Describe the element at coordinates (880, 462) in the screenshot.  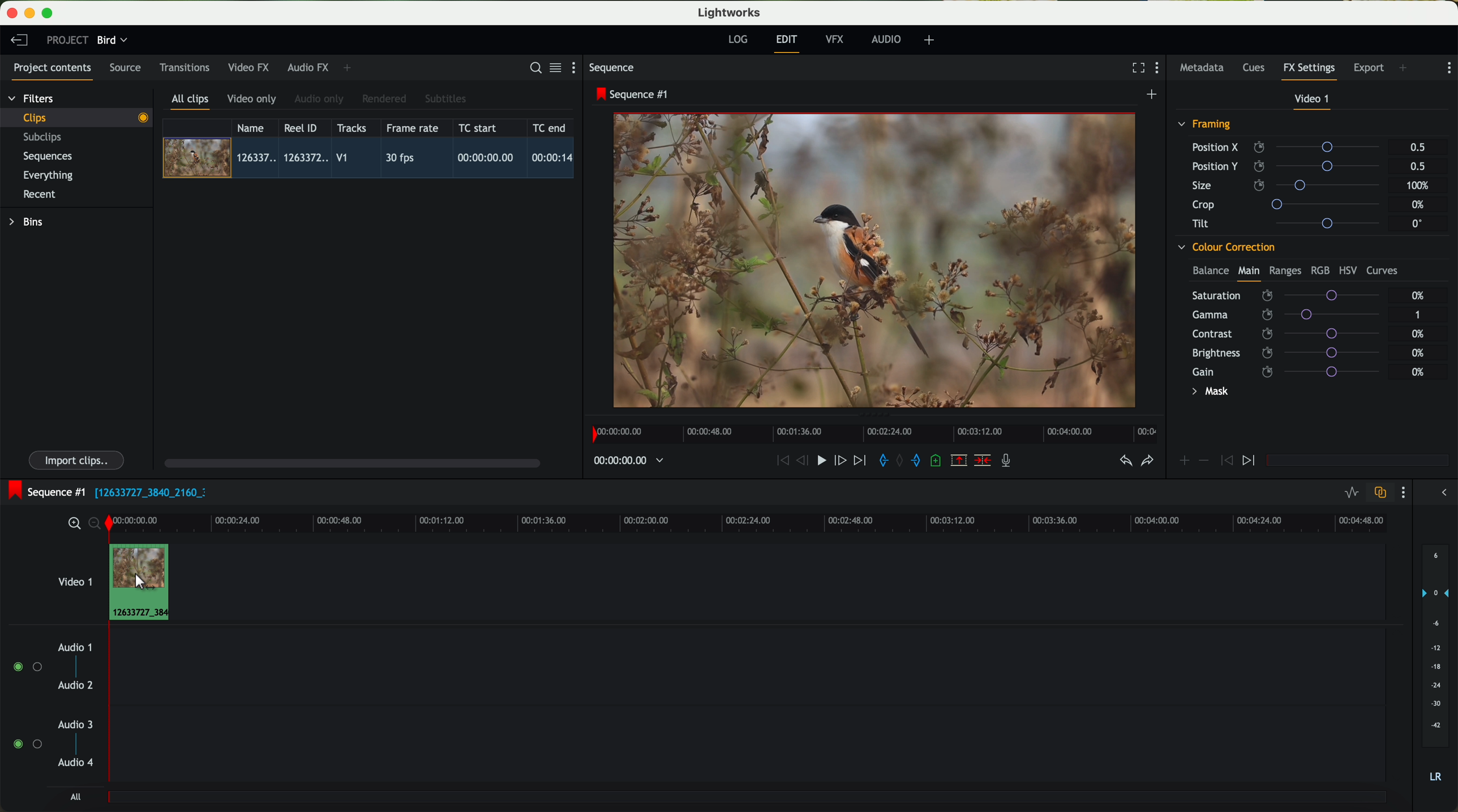
I see `add 'in' mark` at that location.